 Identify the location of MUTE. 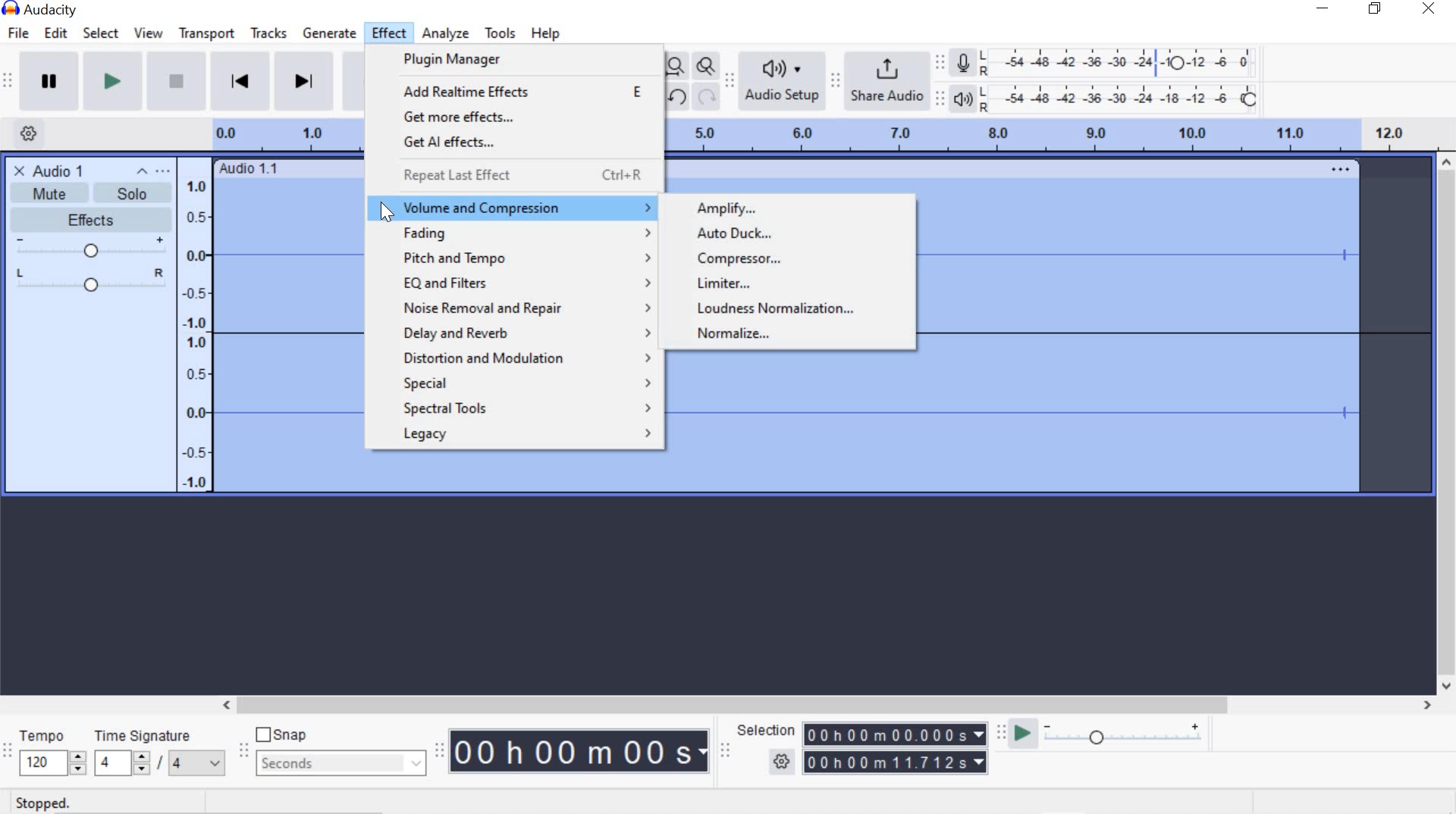
(42, 196).